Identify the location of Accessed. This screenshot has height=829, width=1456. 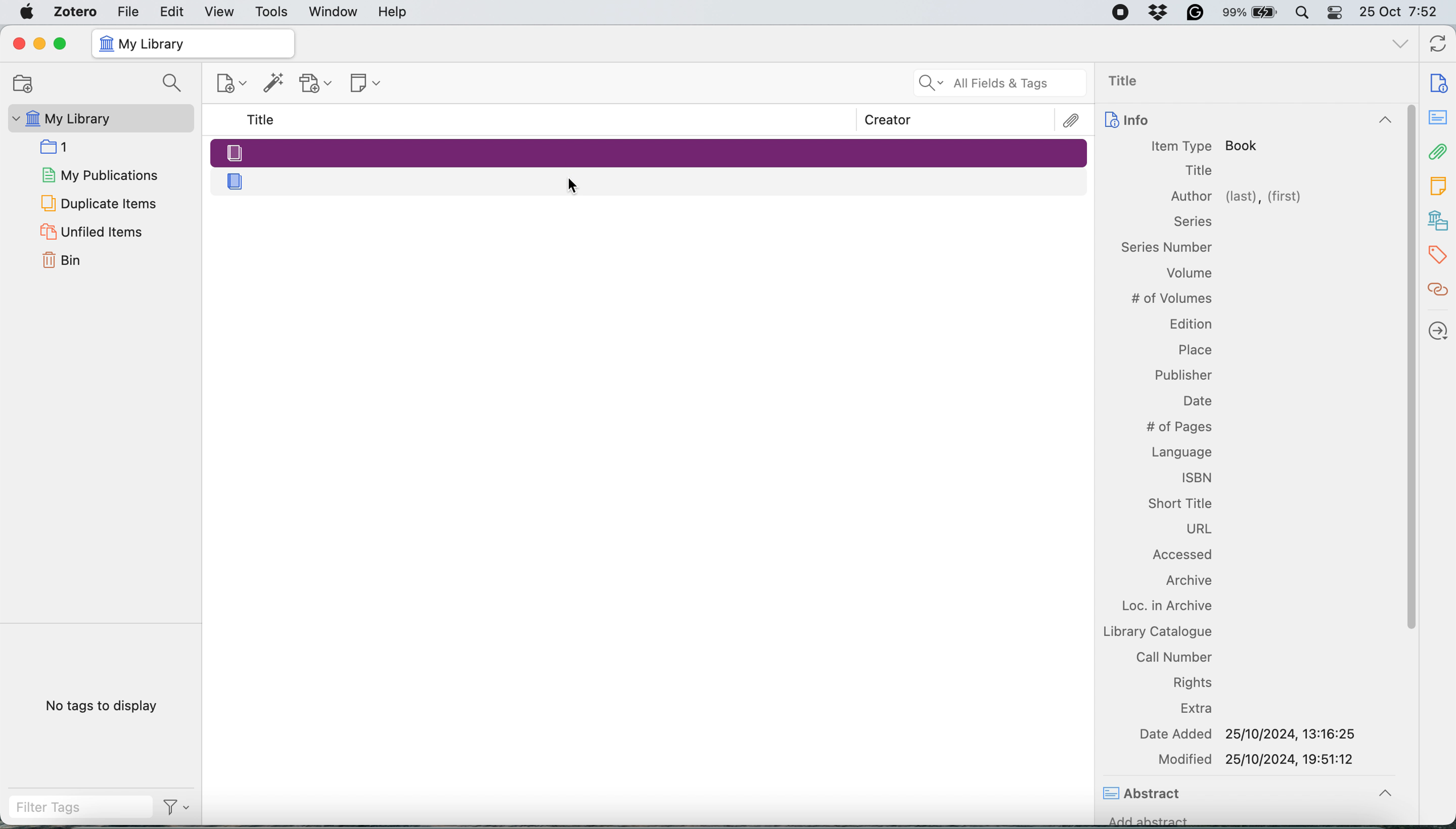
(1185, 556).